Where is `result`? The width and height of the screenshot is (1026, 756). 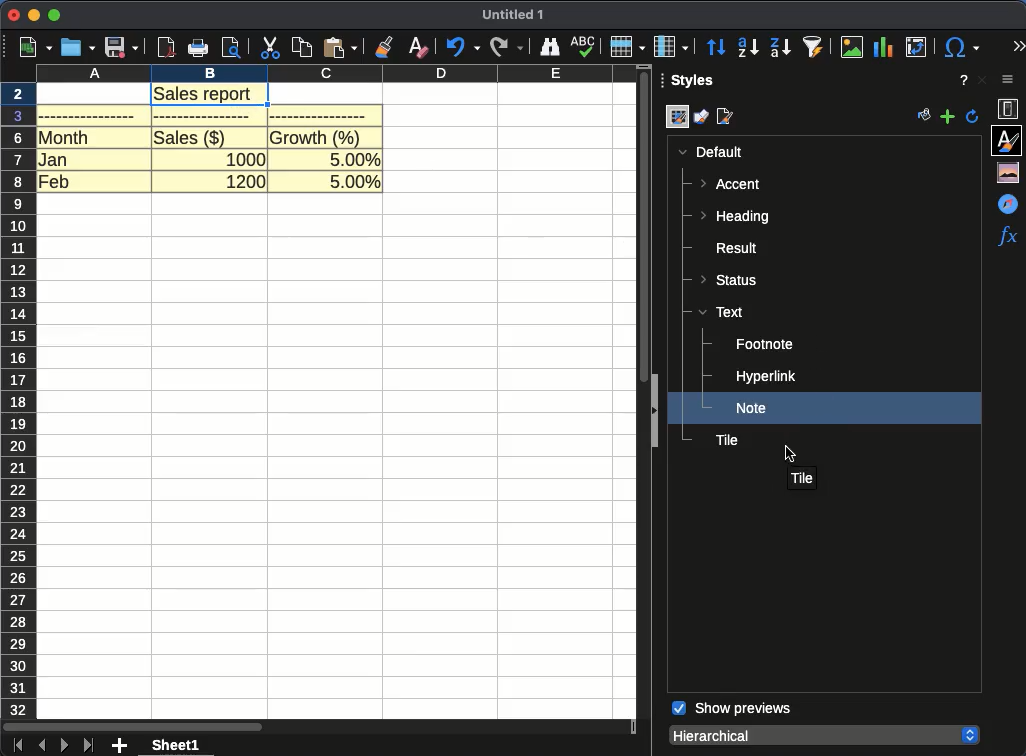
result is located at coordinates (730, 248).